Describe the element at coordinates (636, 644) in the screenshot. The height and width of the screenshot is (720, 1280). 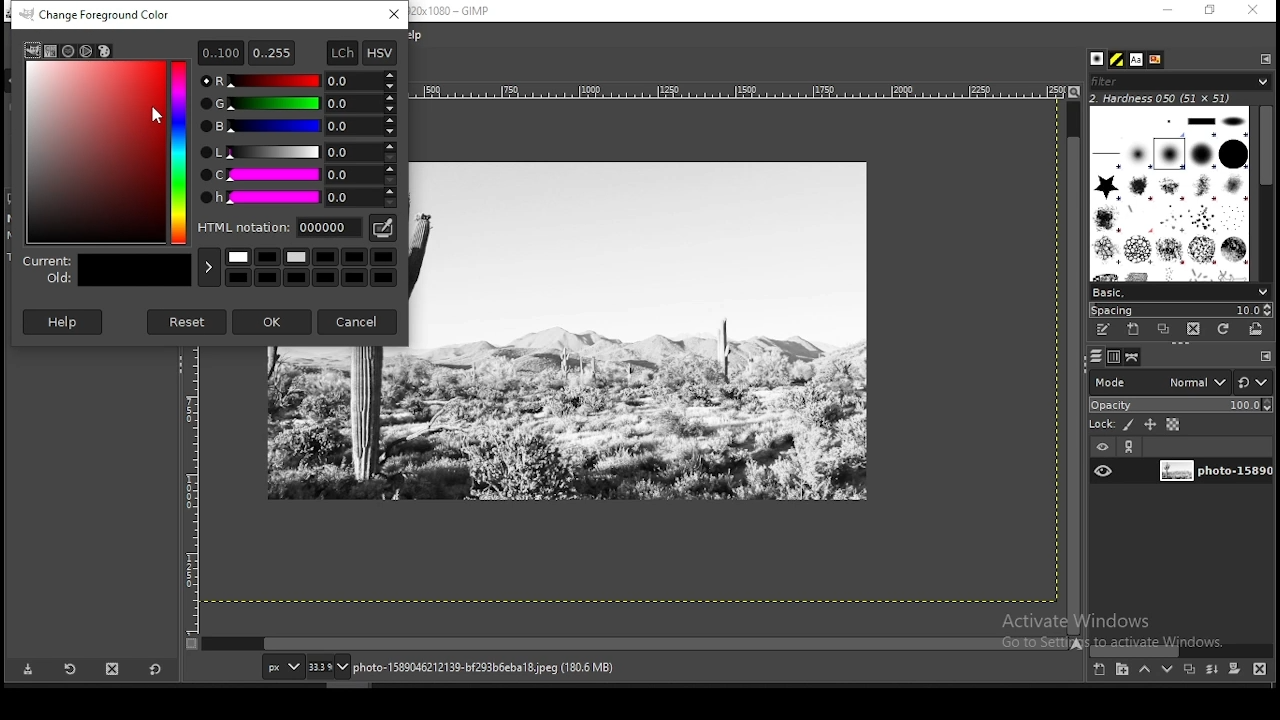
I see `scroll bar` at that location.